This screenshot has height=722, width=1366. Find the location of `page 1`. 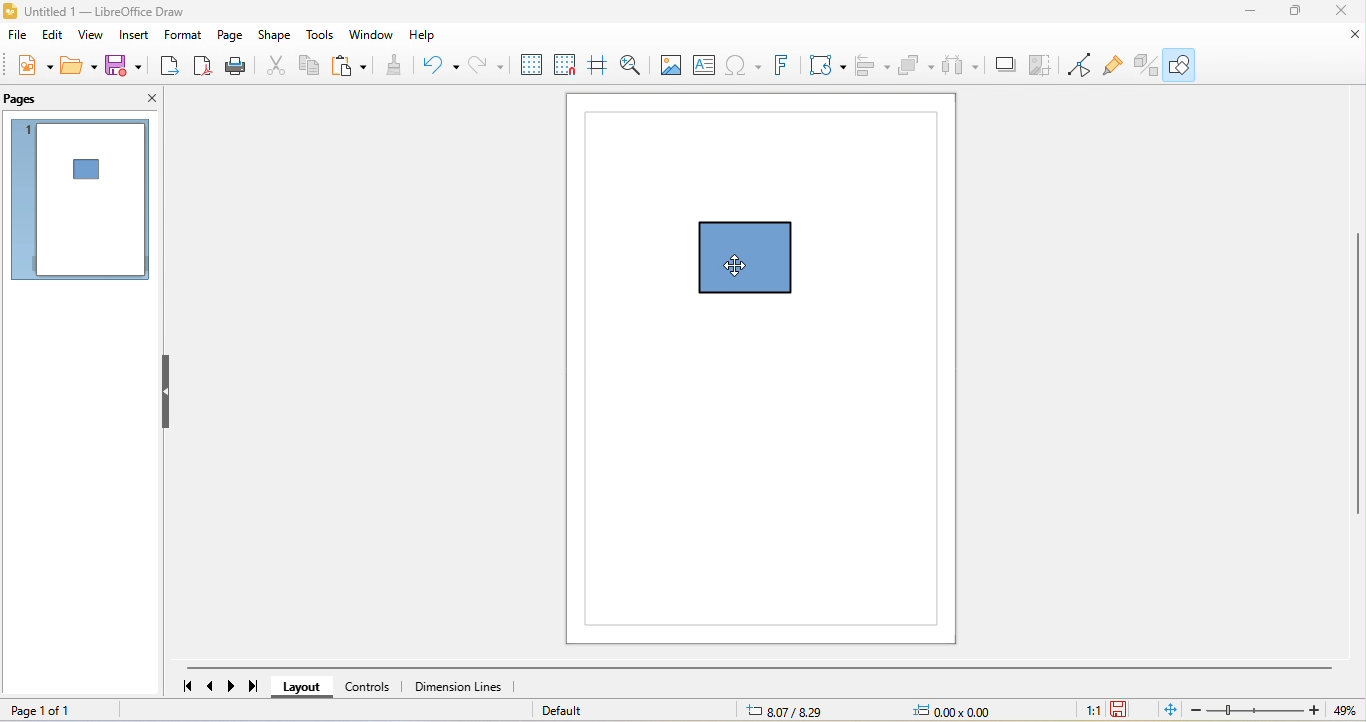

page 1 is located at coordinates (79, 203).